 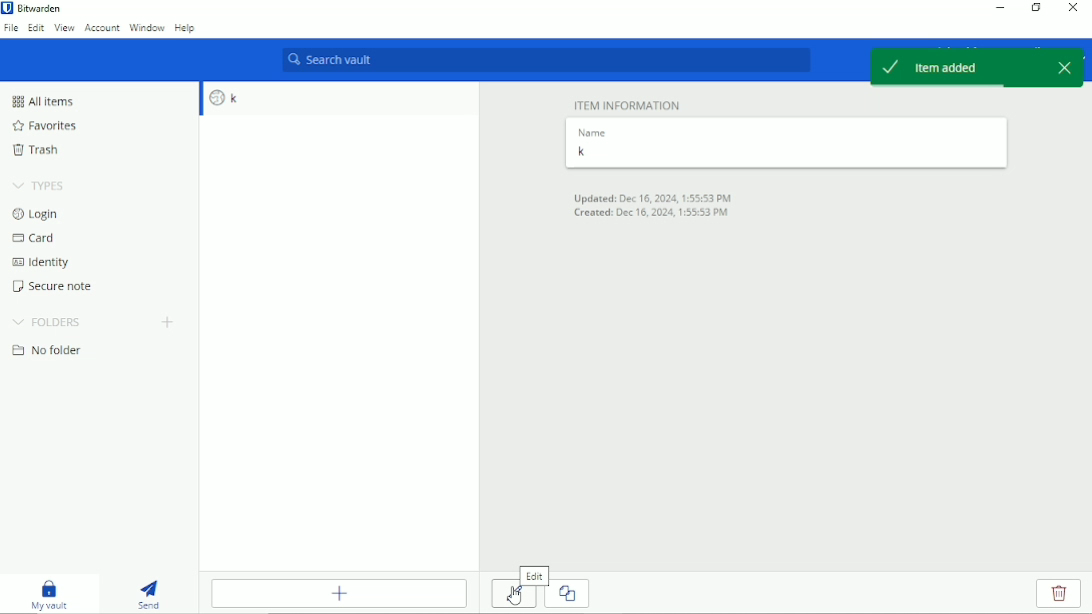 What do you see at coordinates (339, 593) in the screenshot?
I see `Add item` at bounding box center [339, 593].